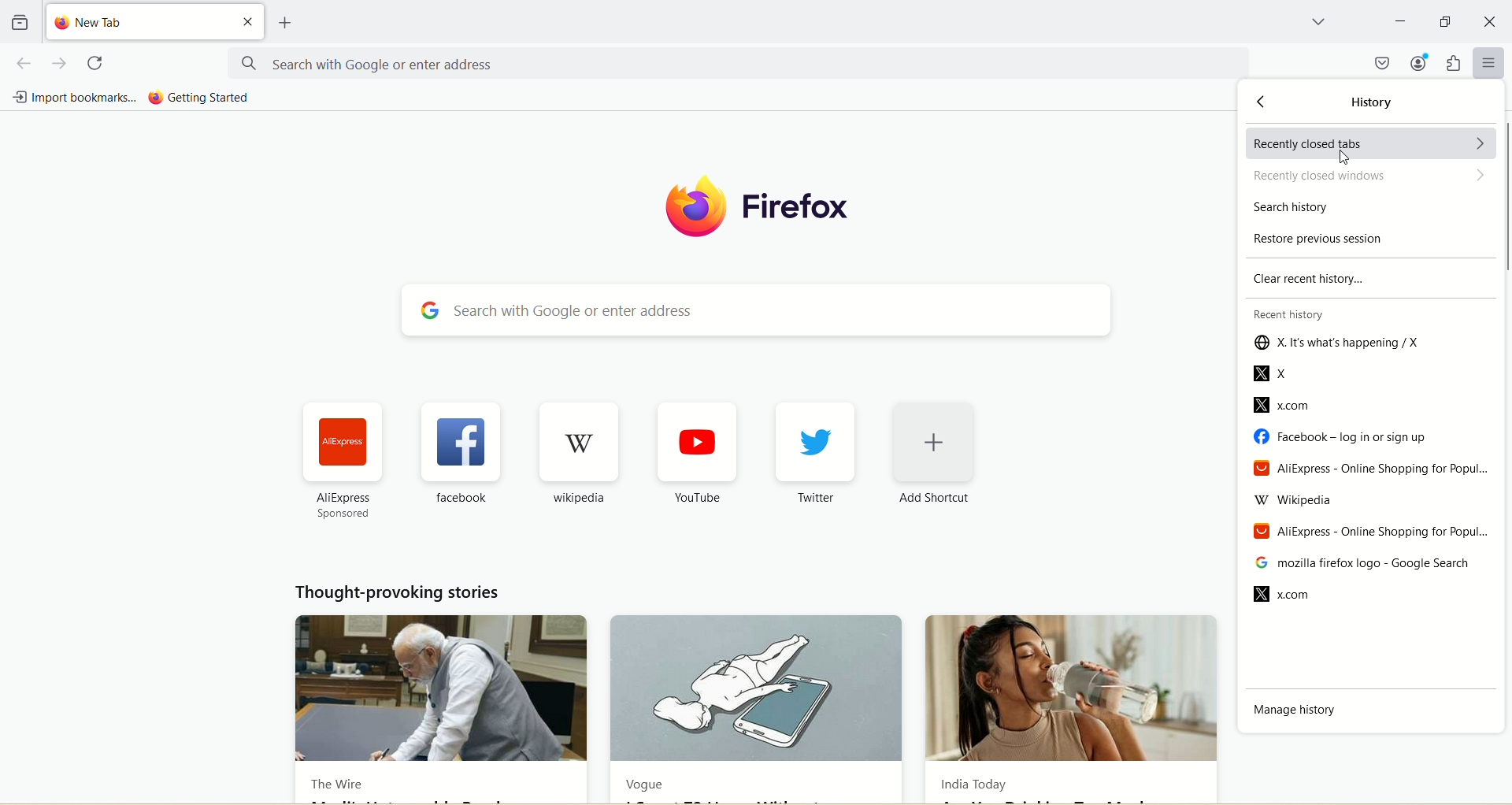 The image size is (1512, 805). What do you see at coordinates (25, 63) in the screenshot?
I see `go back one page` at bounding box center [25, 63].